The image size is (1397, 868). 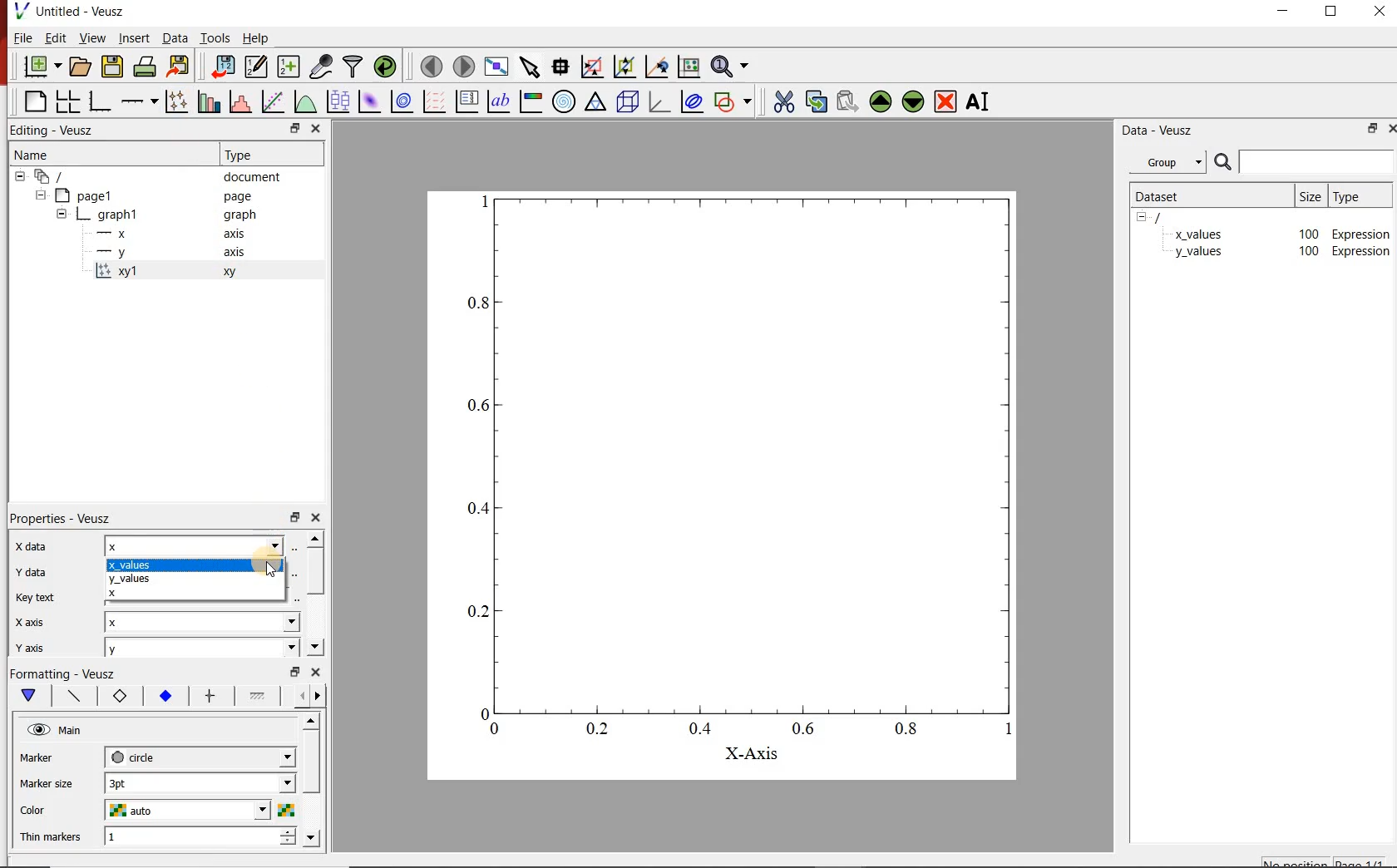 What do you see at coordinates (120, 214) in the screenshot?
I see `graph1` at bounding box center [120, 214].